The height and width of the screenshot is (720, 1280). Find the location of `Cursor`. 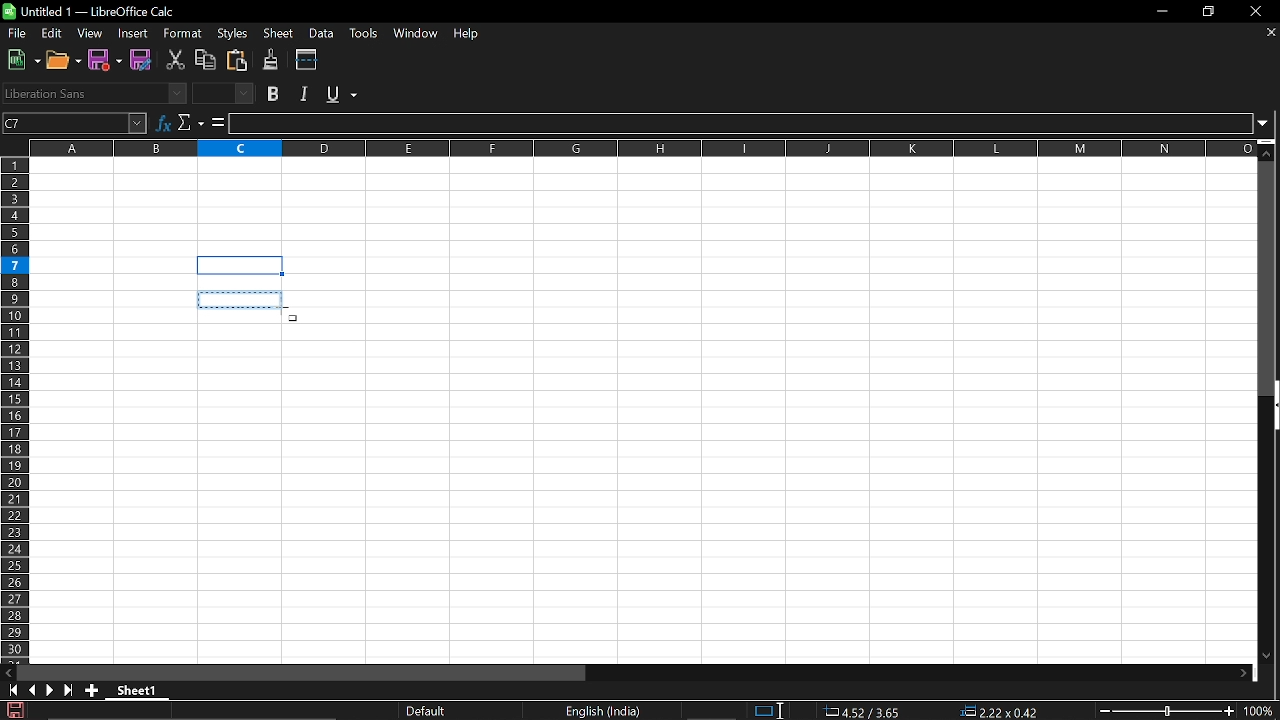

Cursor is located at coordinates (296, 317).